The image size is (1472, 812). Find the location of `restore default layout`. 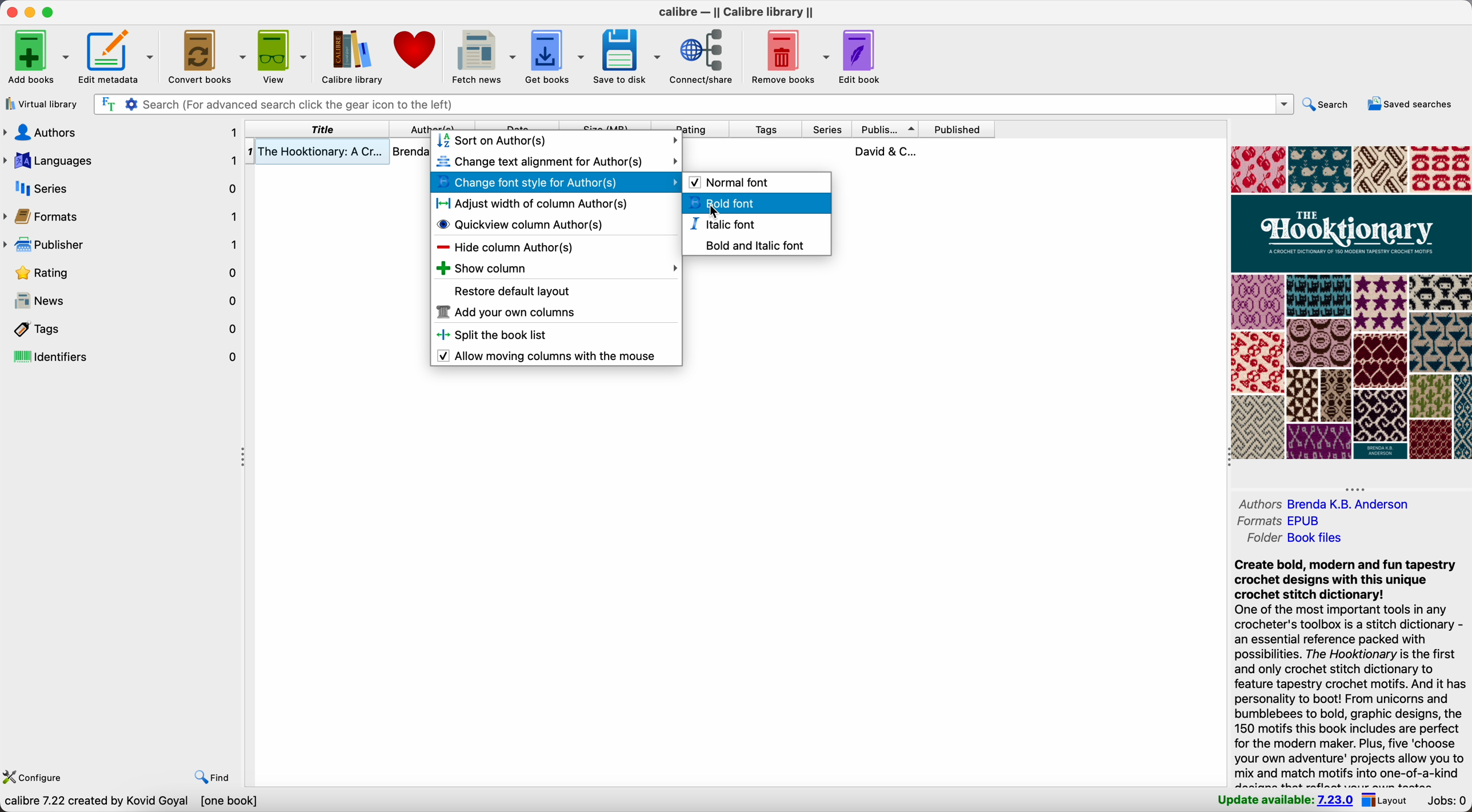

restore default layout is located at coordinates (514, 292).